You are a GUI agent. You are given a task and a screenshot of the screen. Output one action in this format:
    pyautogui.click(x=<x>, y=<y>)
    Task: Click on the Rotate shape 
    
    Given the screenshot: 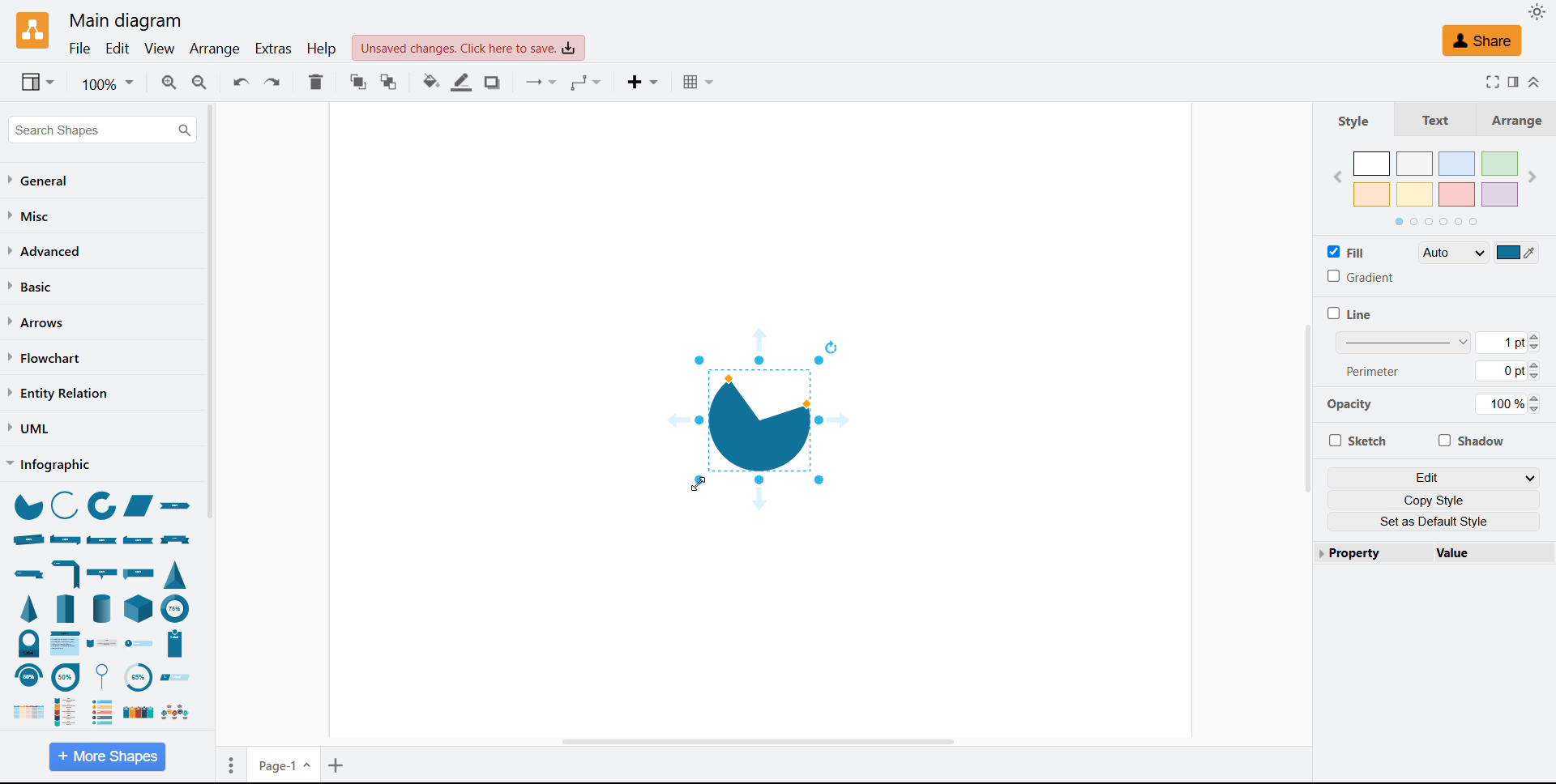 What is the action you would take?
    pyautogui.click(x=831, y=346)
    